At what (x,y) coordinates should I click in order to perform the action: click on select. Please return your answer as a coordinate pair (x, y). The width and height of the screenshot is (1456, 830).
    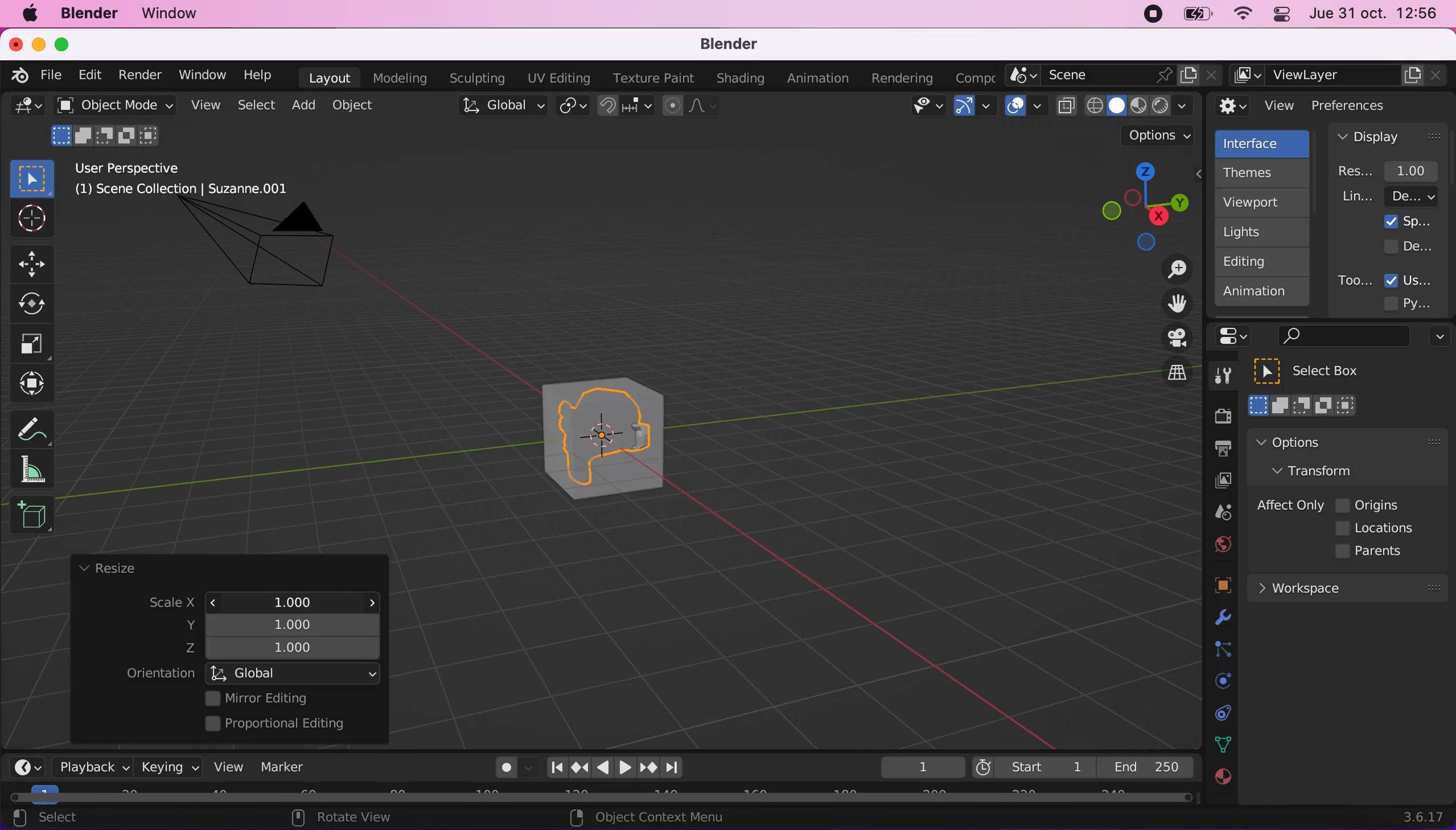
    Looking at the image, I should click on (58, 819).